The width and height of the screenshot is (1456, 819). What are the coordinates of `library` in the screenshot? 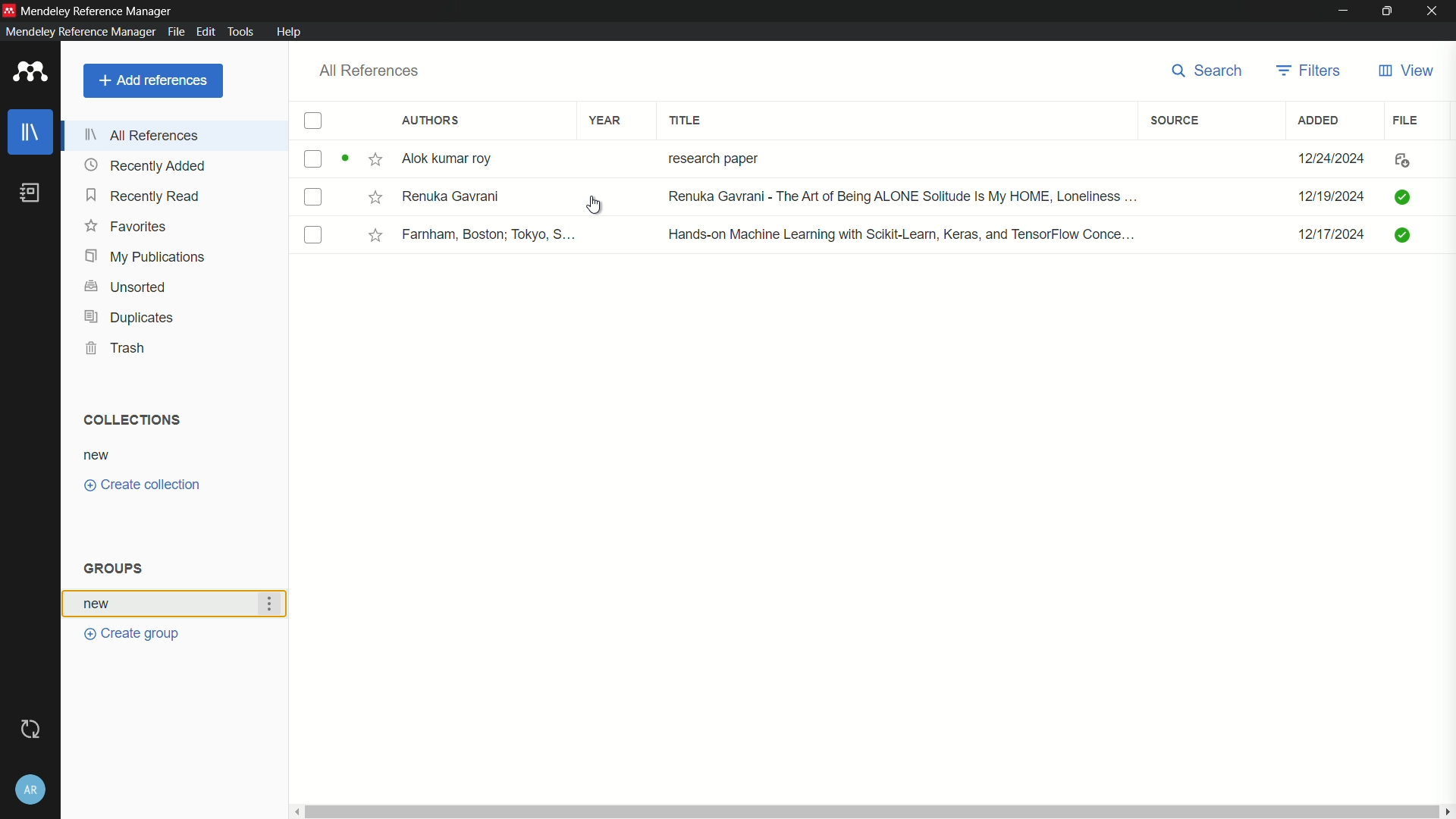 It's located at (33, 133).